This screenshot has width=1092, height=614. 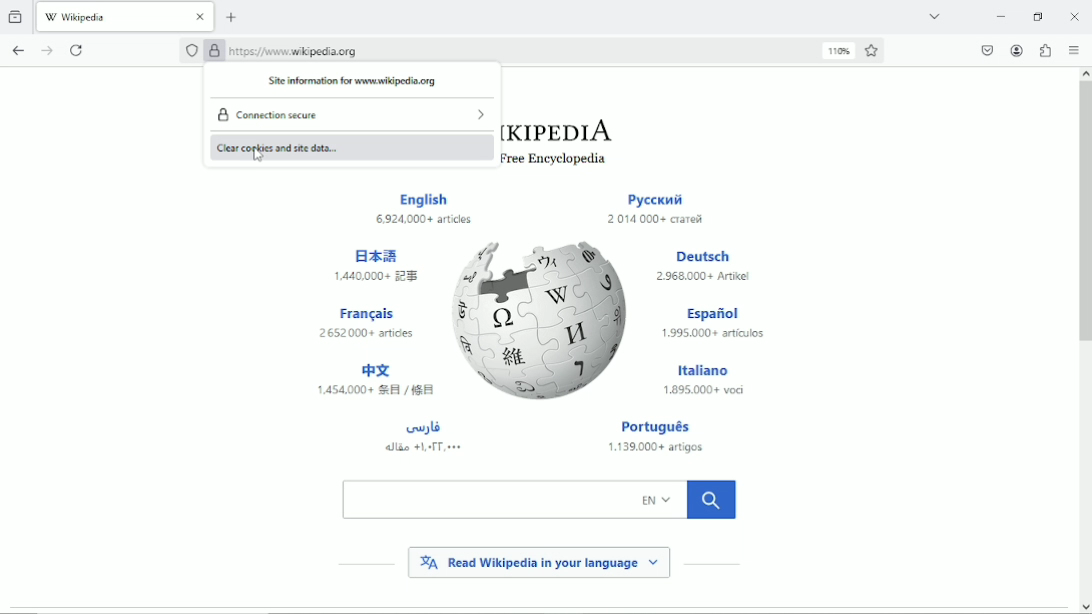 I want to click on View recent browsing, so click(x=17, y=15).